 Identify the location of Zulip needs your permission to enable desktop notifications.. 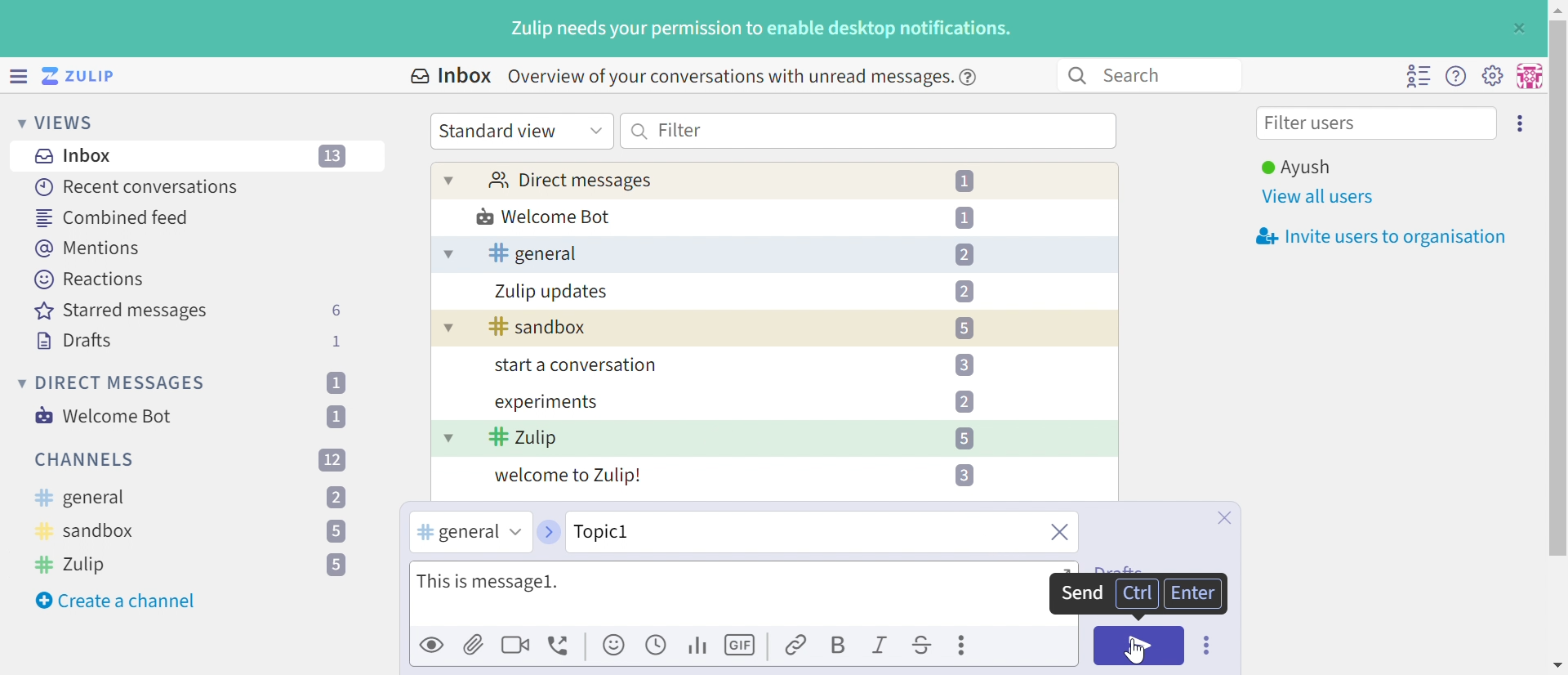
(762, 30).